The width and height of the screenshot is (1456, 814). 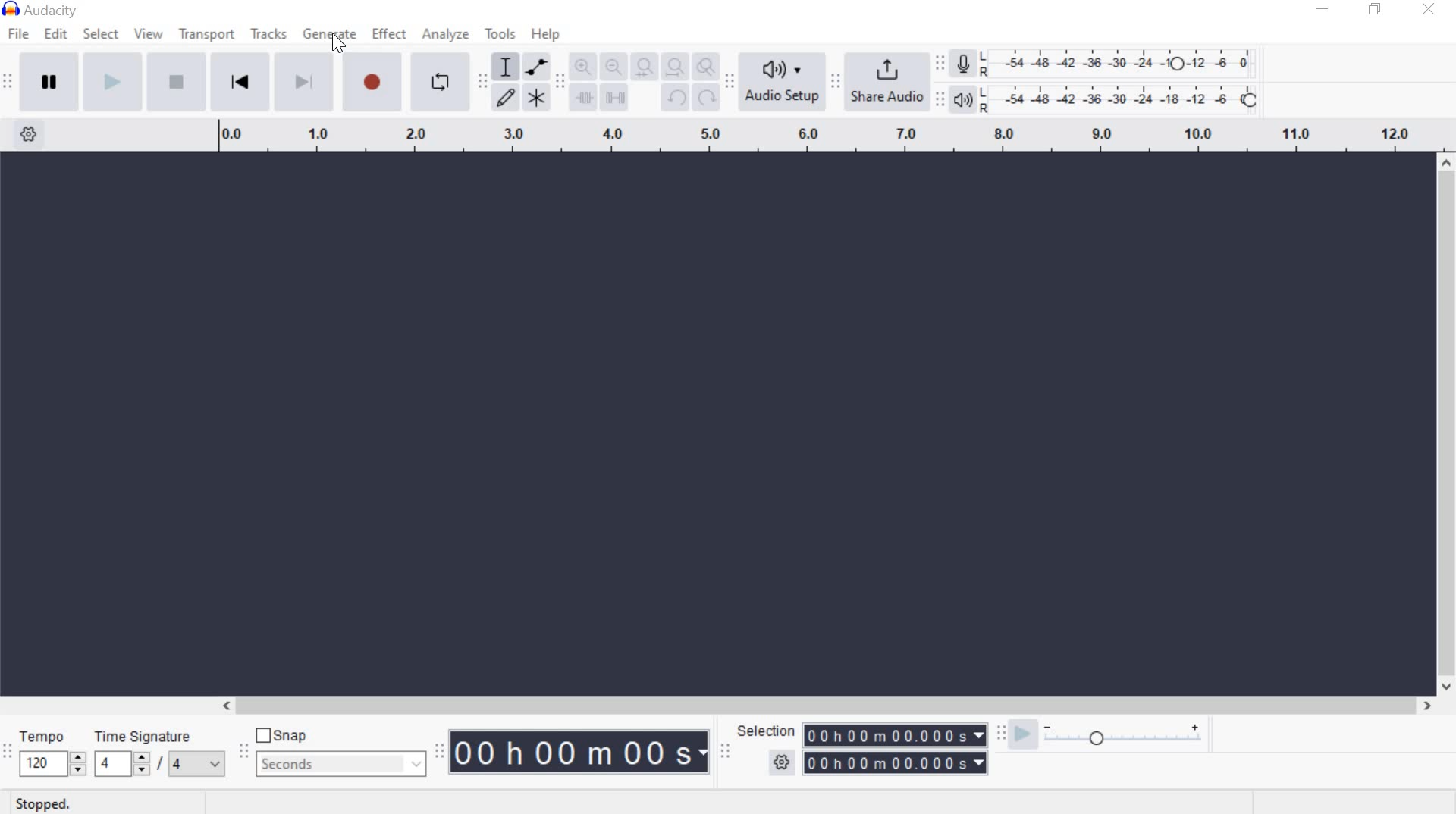 What do you see at coordinates (704, 66) in the screenshot?
I see `Zoom Toggle` at bounding box center [704, 66].